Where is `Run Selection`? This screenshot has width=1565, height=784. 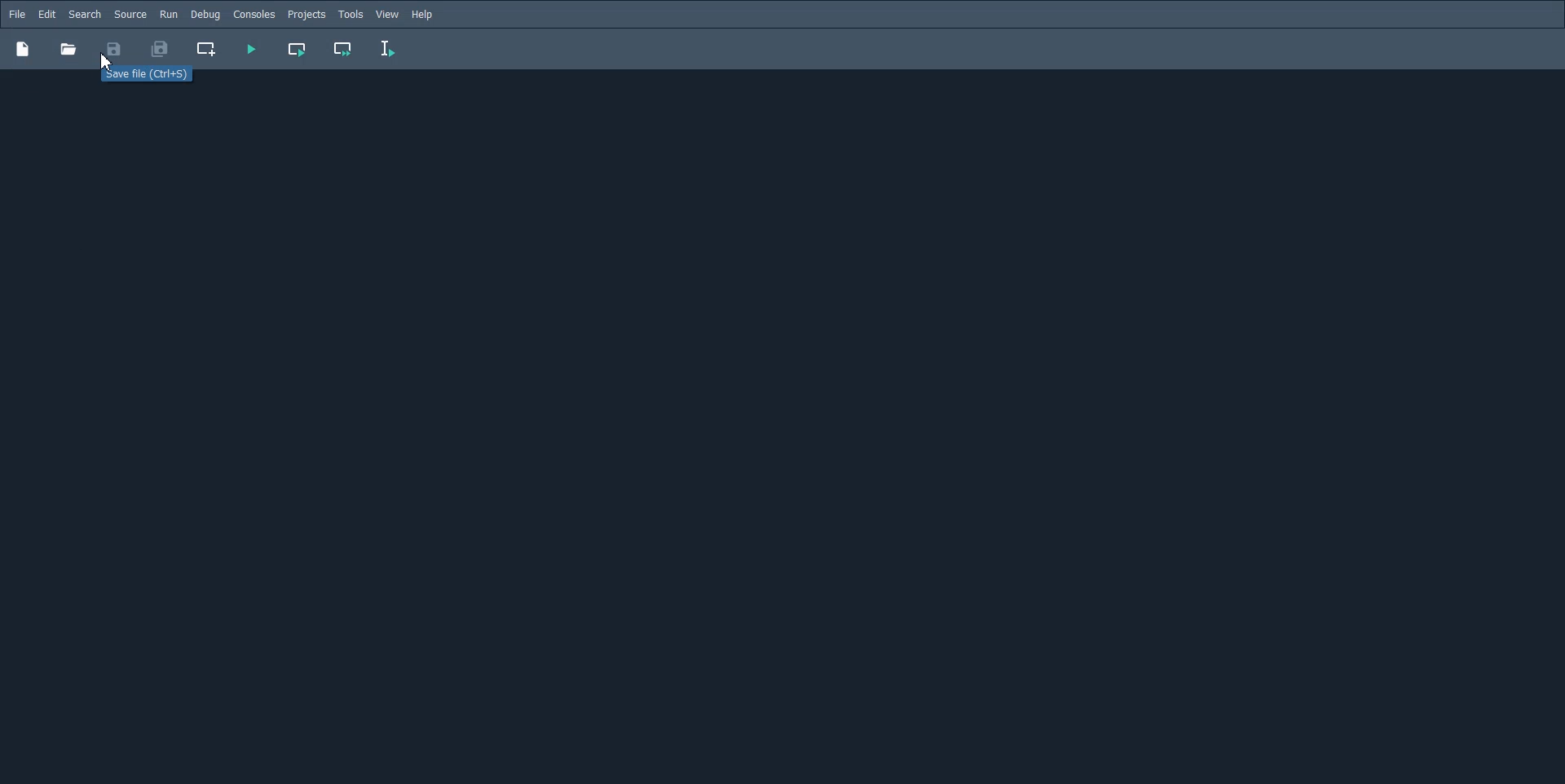 Run Selection is located at coordinates (388, 49).